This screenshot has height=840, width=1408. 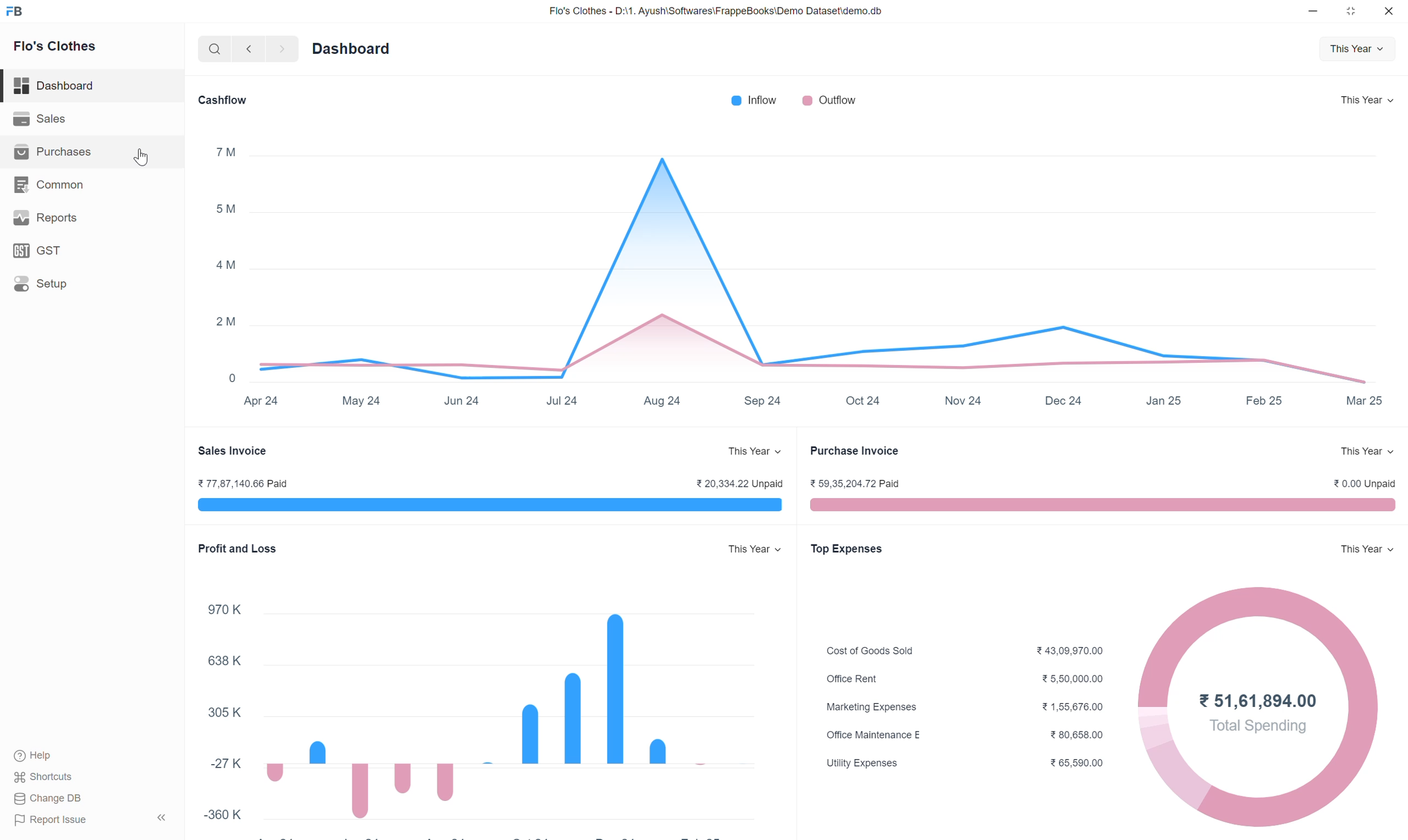 What do you see at coordinates (45, 218) in the screenshot?
I see `Reports ` at bounding box center [45, 218].